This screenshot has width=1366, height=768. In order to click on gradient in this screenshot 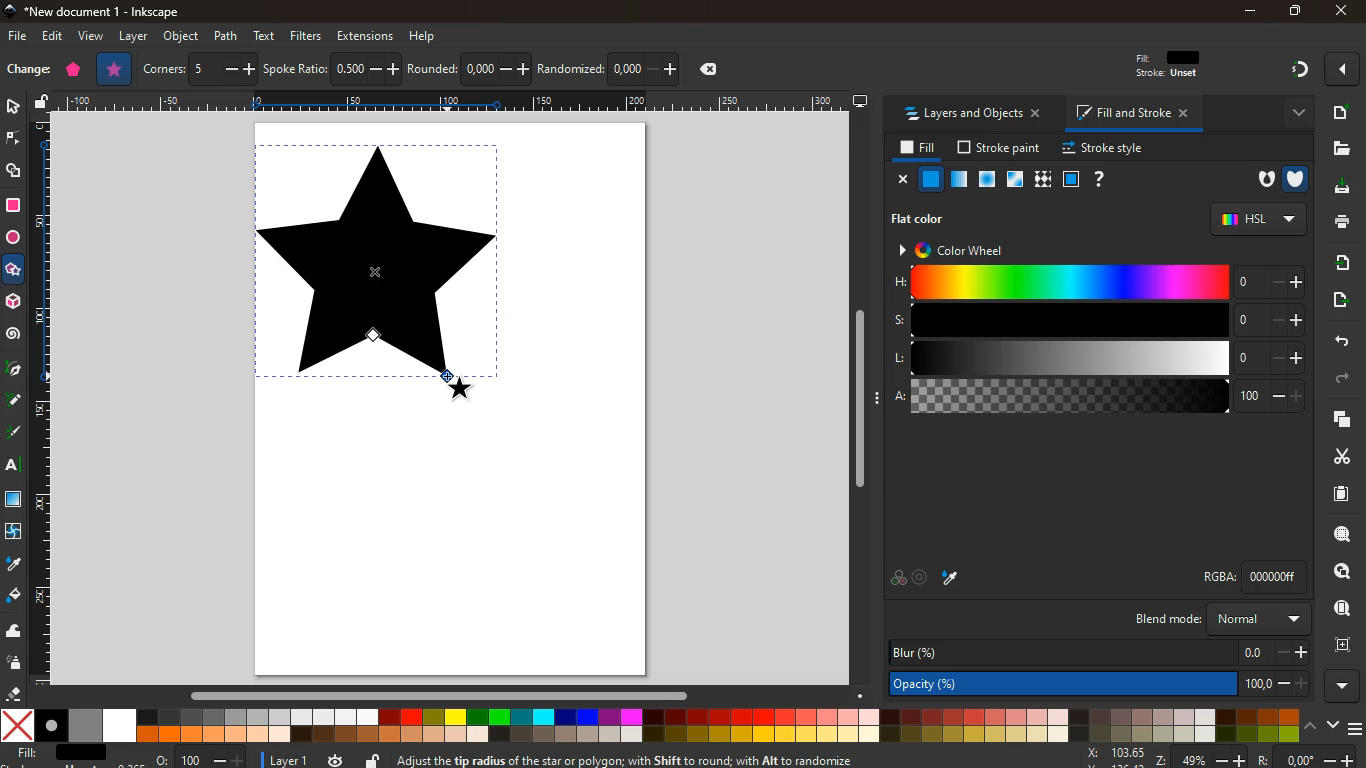, I will do `click(1289, 70)`.